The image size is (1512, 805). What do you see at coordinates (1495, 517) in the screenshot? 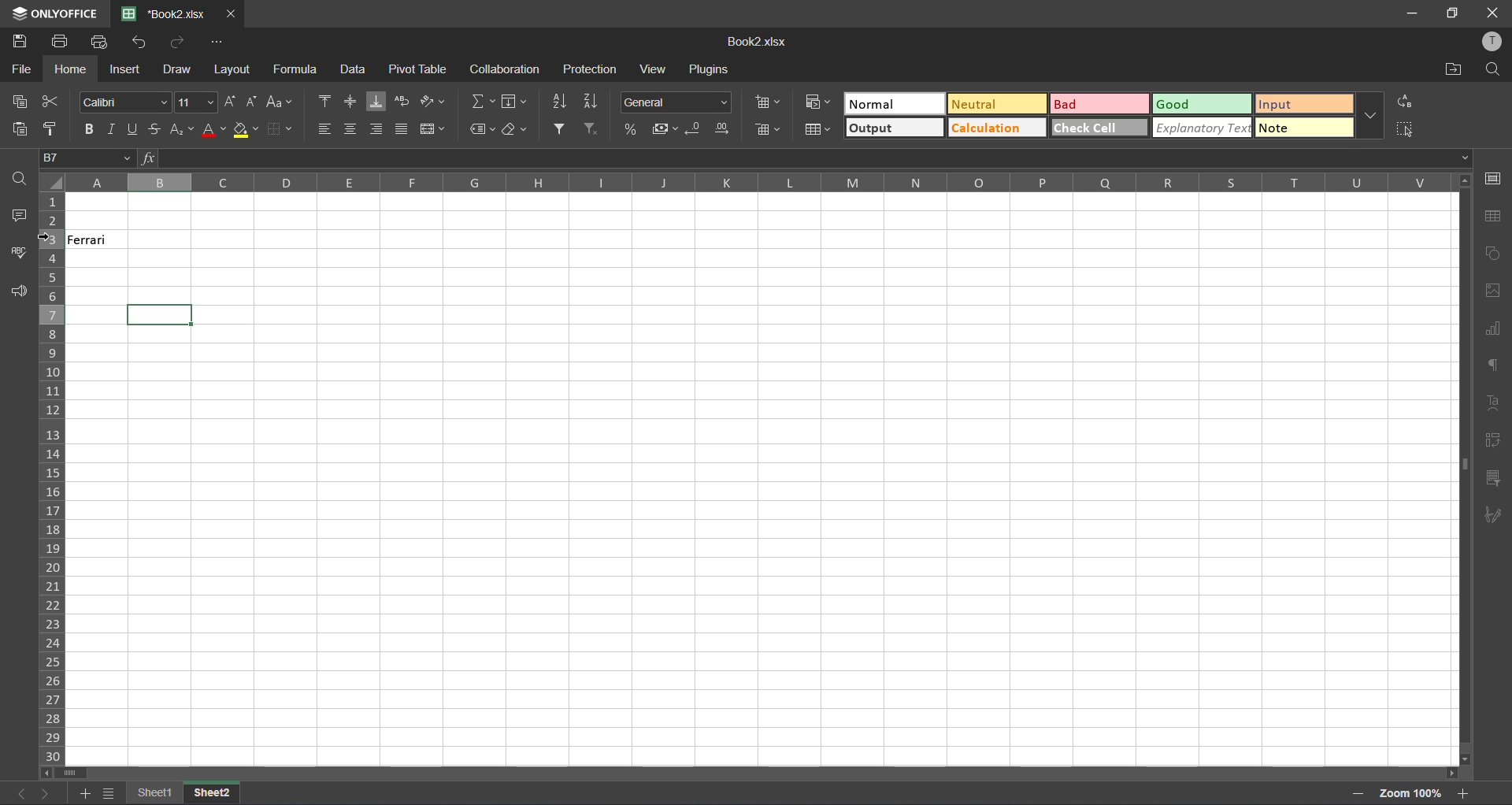
I see `signature` at bounding box center [1495, 517].